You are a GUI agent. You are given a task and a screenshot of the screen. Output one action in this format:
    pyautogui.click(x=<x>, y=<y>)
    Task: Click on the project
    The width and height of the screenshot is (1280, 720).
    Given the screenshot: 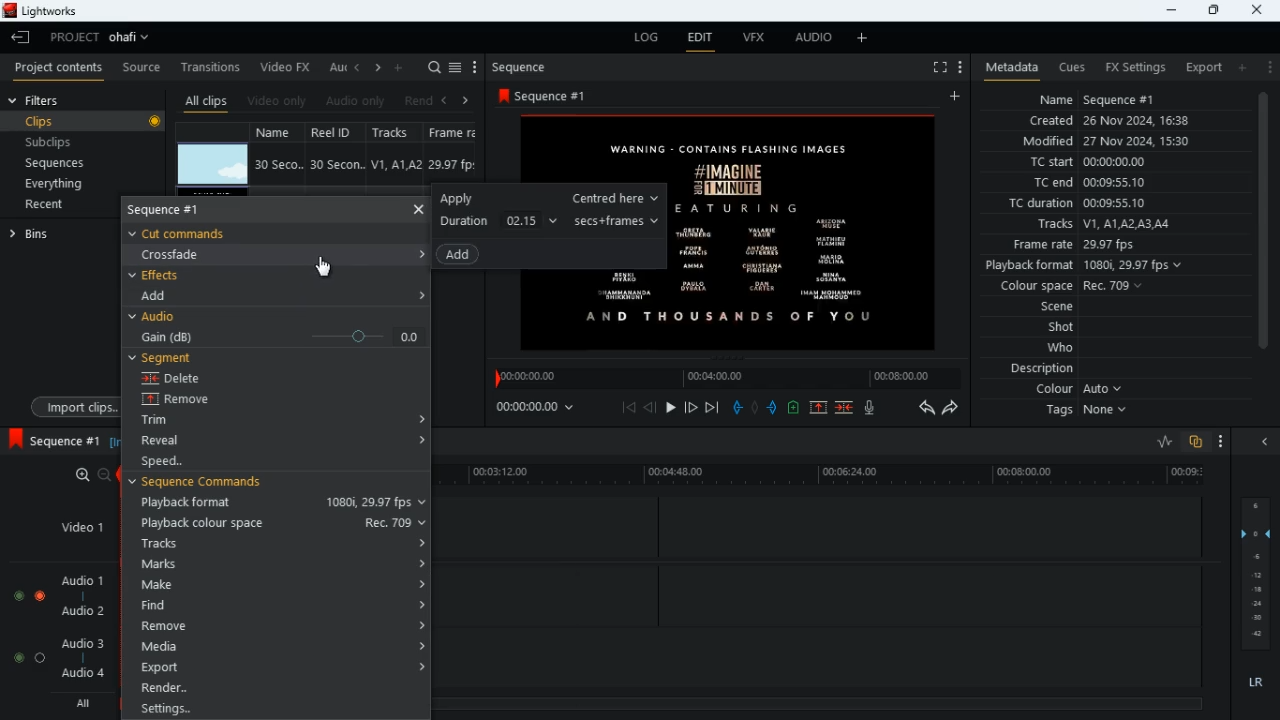 What is the action you would take?
    pyautogui.click(x=104, y=37)
    